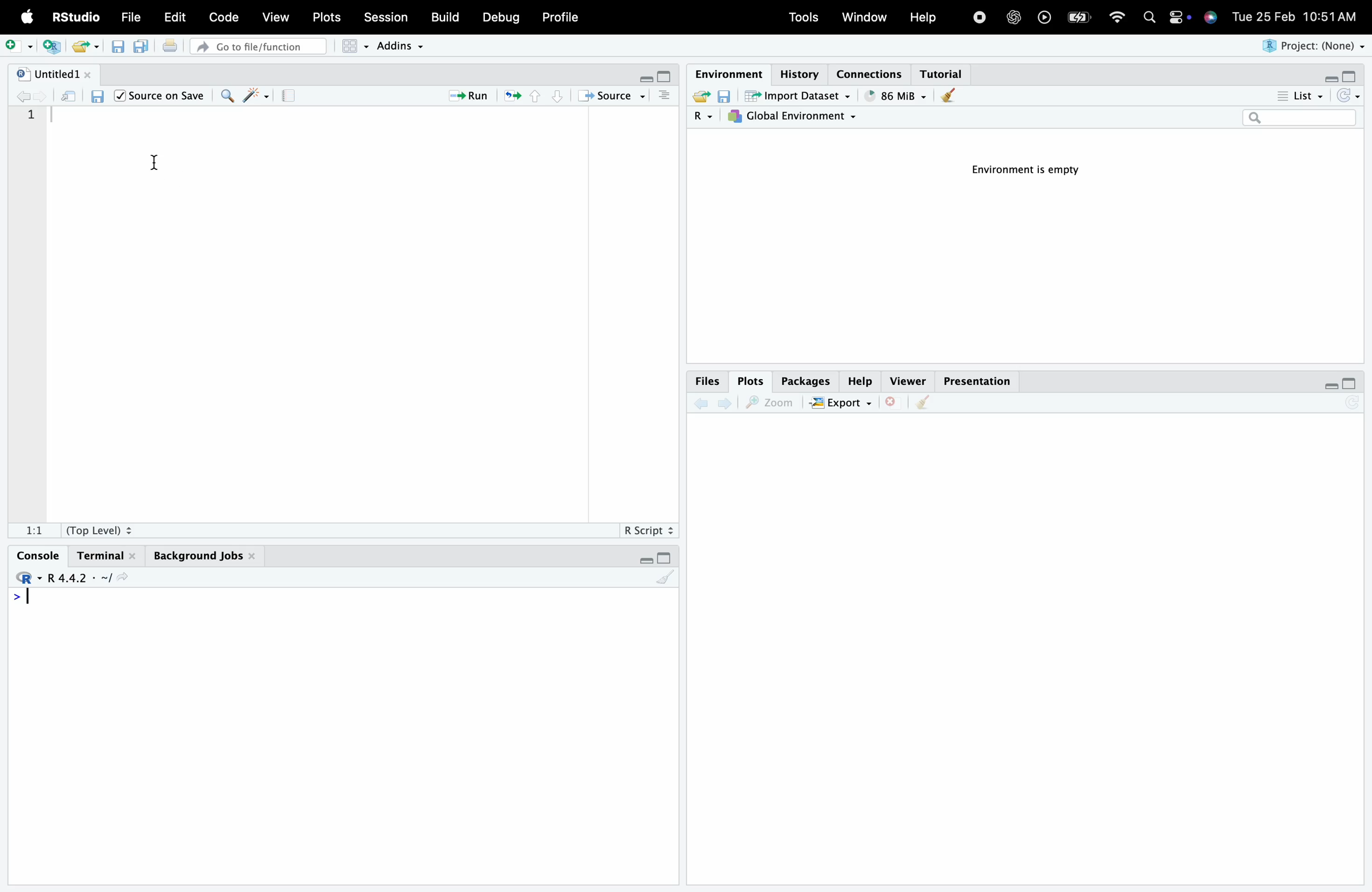  What do you see at coordinates (404, 47) in the screenshot?
I see `Addins ~` at bounding box center [404, 47].